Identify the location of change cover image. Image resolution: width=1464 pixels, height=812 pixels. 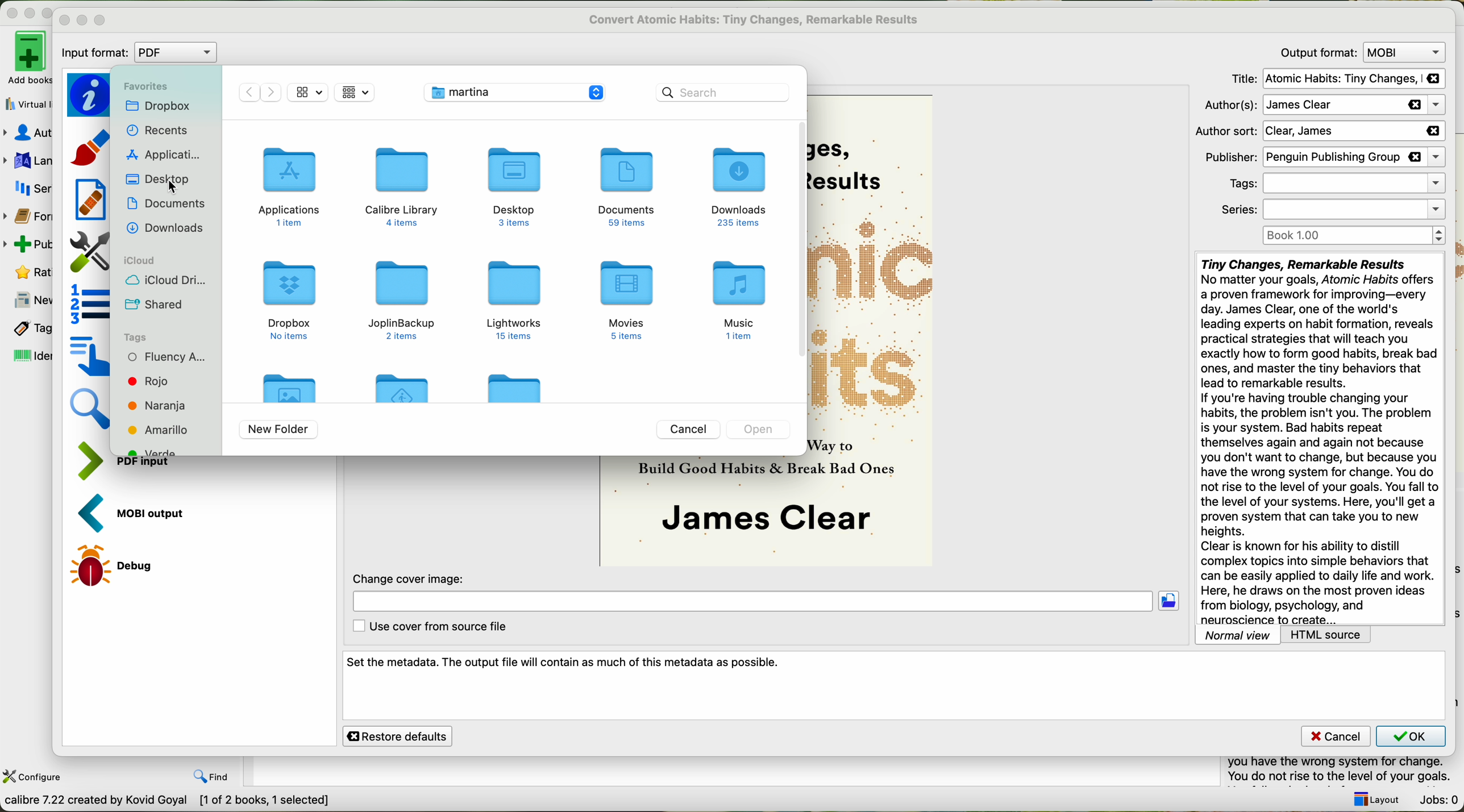
(411, 578).